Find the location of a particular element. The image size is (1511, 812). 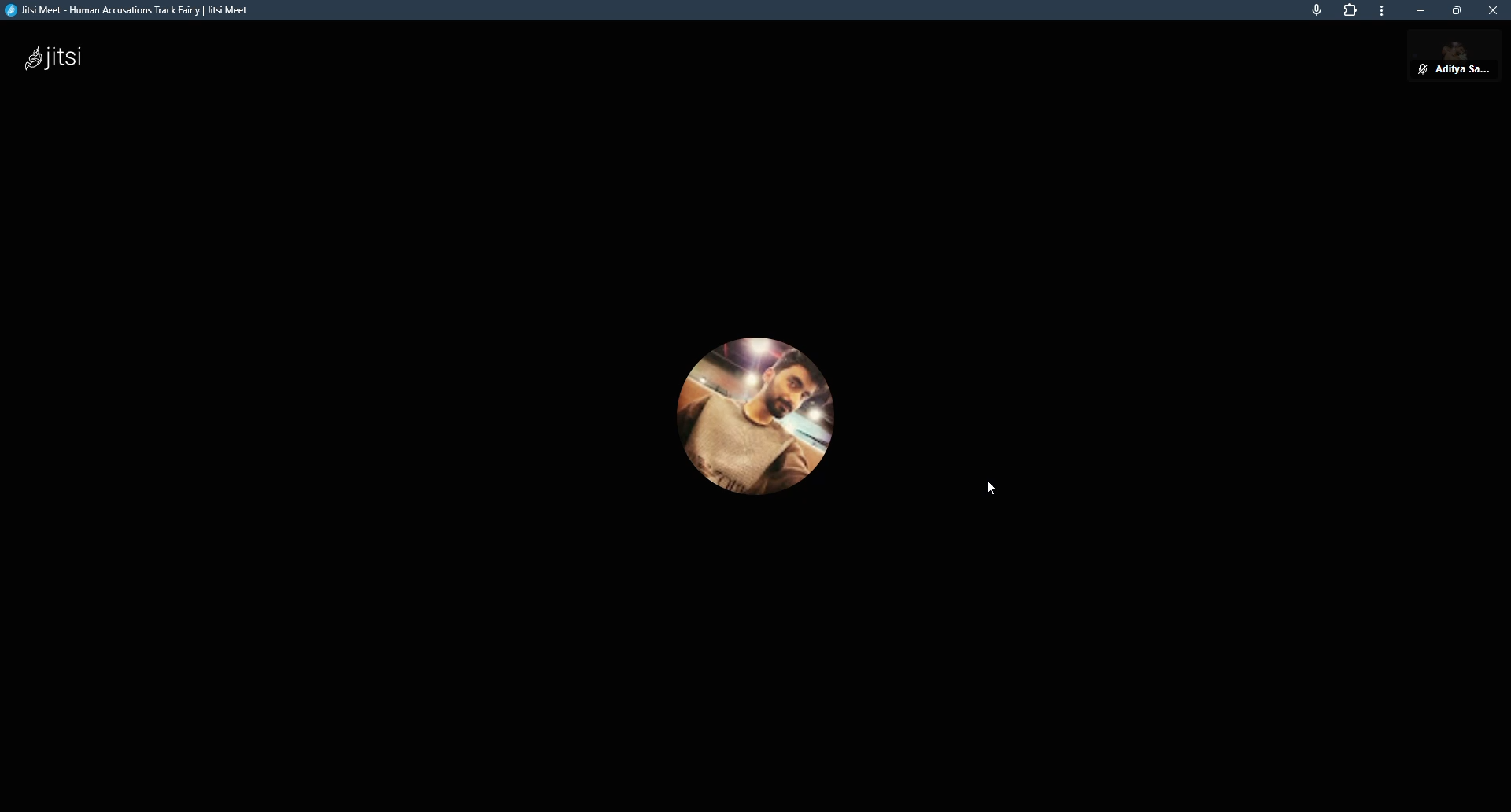

jitsi is located at coordinates (57, 58).